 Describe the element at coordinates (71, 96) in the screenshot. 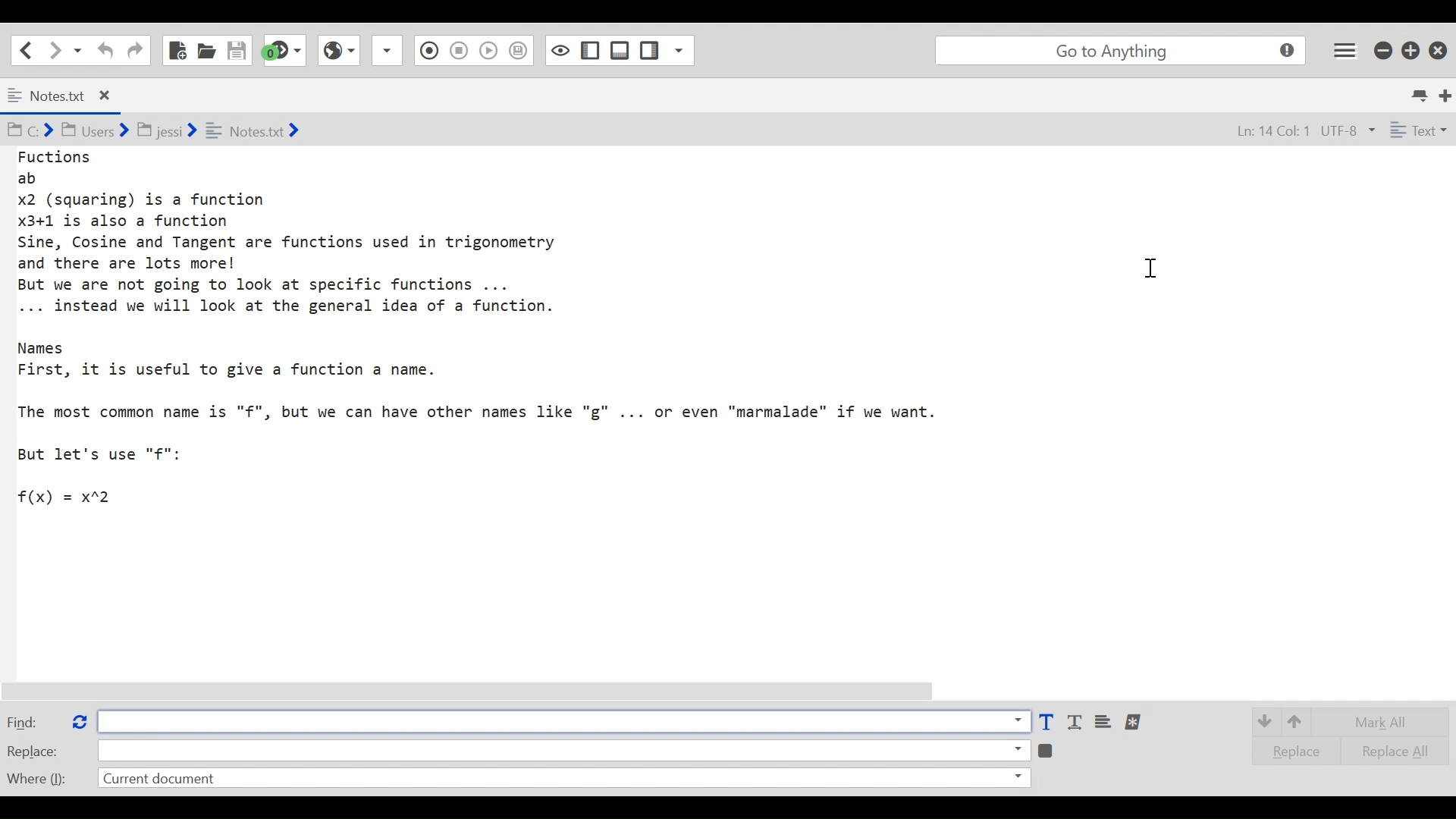

I see `Notes.txt` at that location.